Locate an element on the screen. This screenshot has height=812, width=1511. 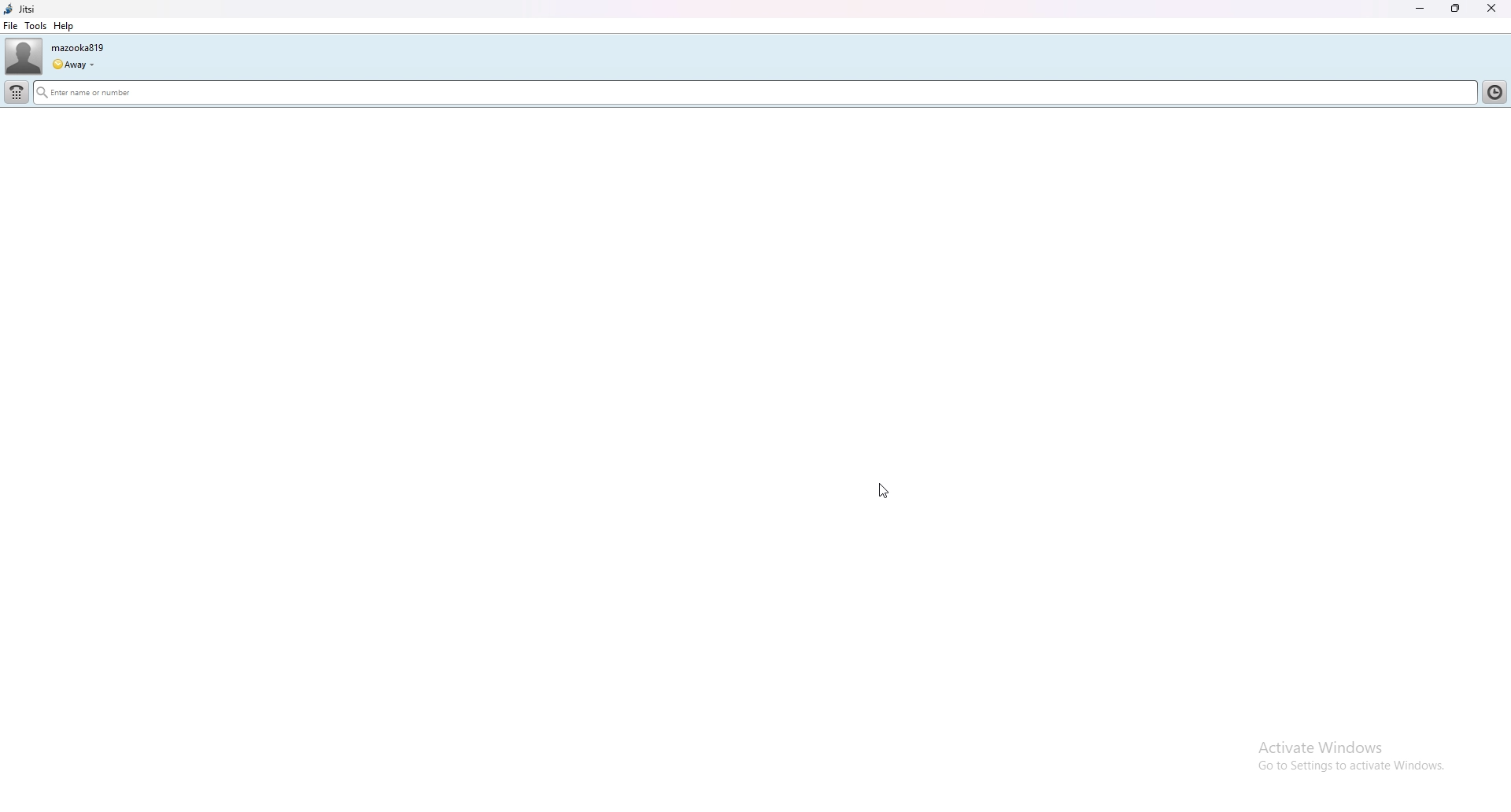
Activate Windows Go to Settings to activate Windows. is located at coordinates (1350, 744).